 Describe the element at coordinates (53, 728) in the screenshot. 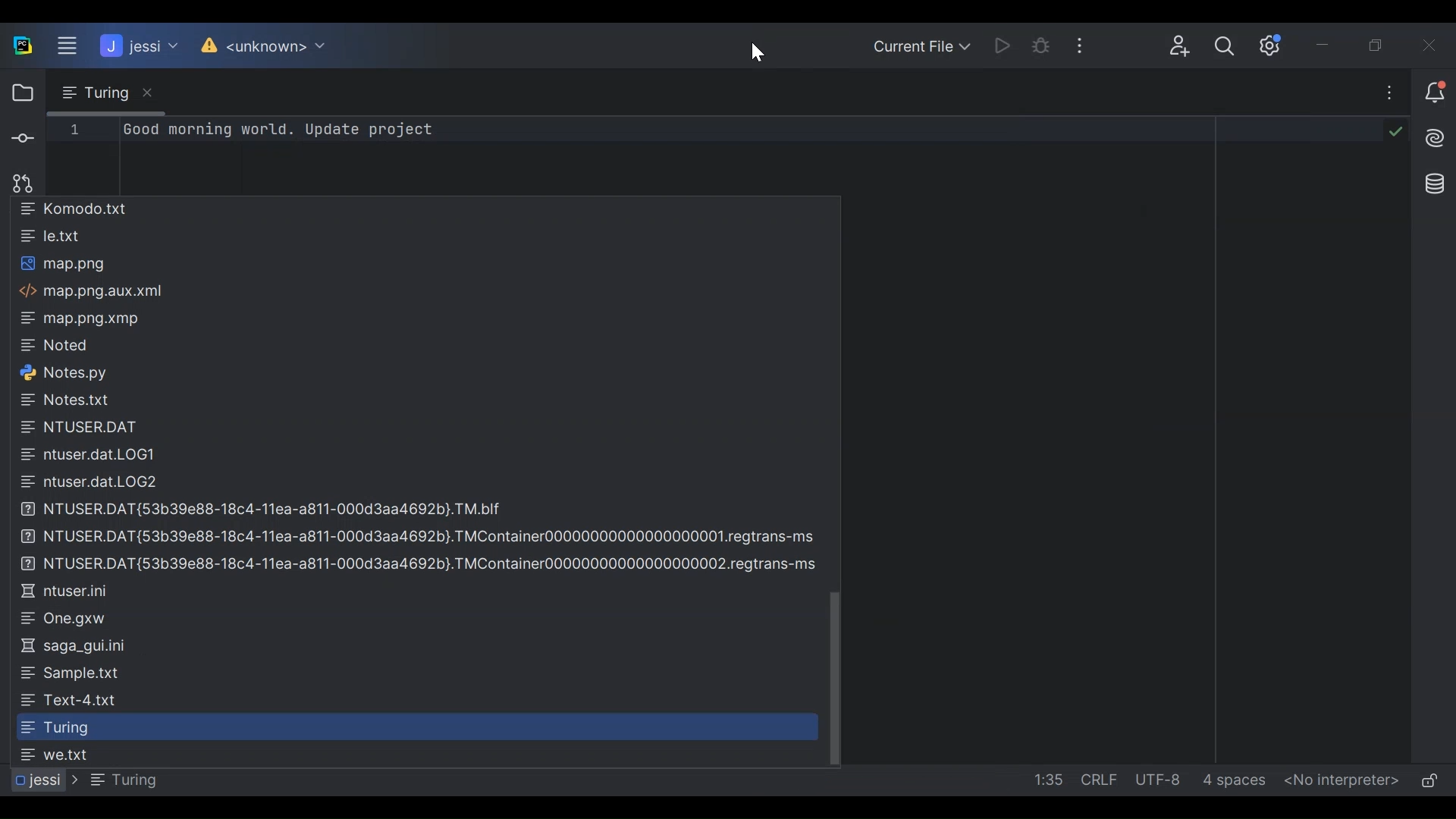

I see `Turing` at that location.